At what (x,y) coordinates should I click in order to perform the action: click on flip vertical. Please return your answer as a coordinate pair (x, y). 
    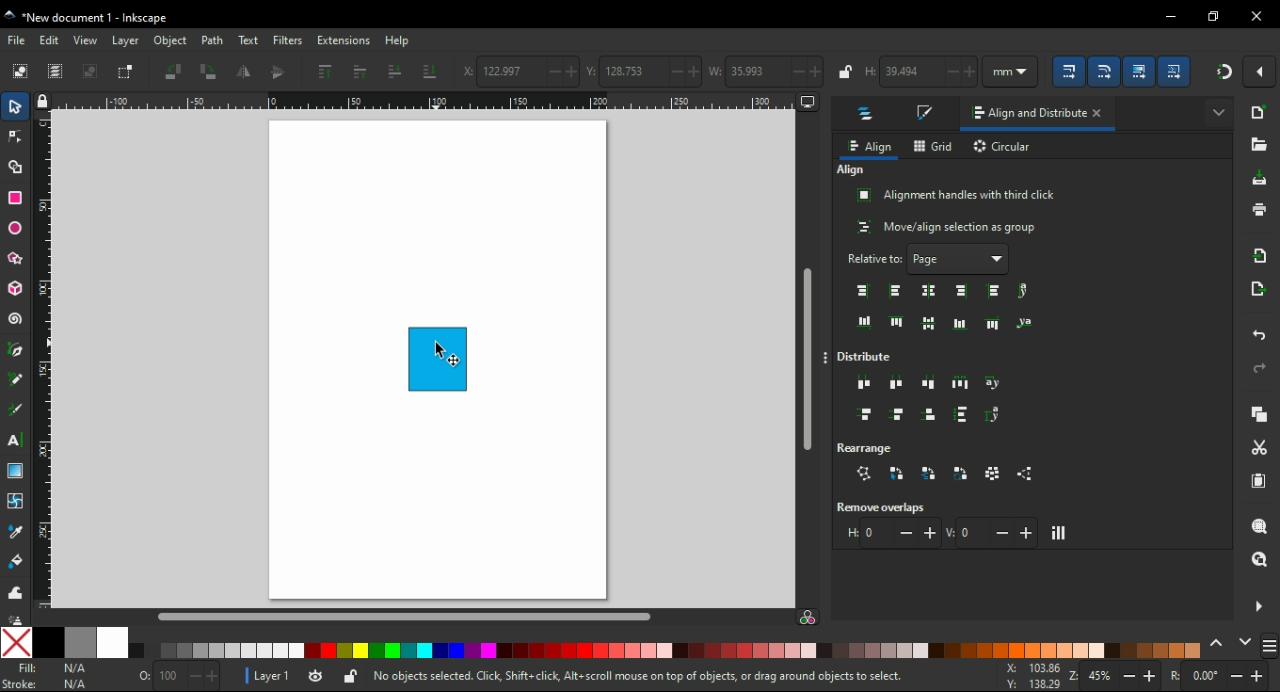
    Looking at the image, I should click on (280, 73).